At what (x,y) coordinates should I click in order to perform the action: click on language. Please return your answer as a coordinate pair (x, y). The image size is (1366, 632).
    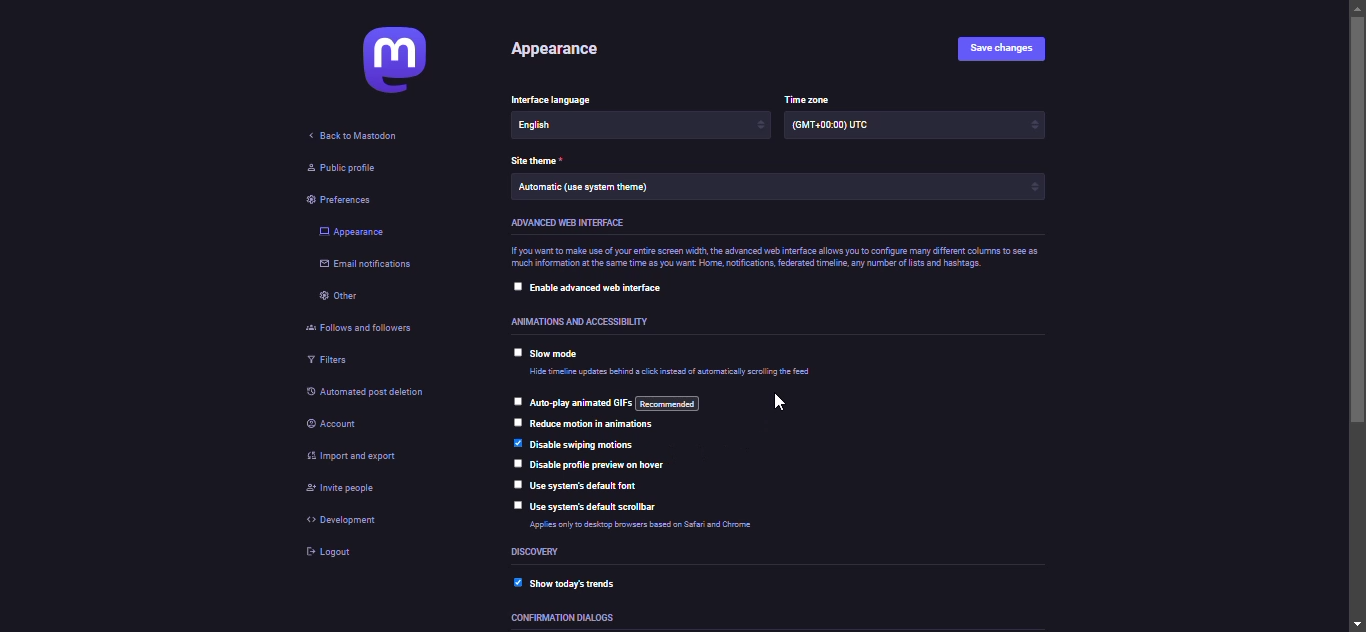
    Looking at the image, I should click on (550, 98).